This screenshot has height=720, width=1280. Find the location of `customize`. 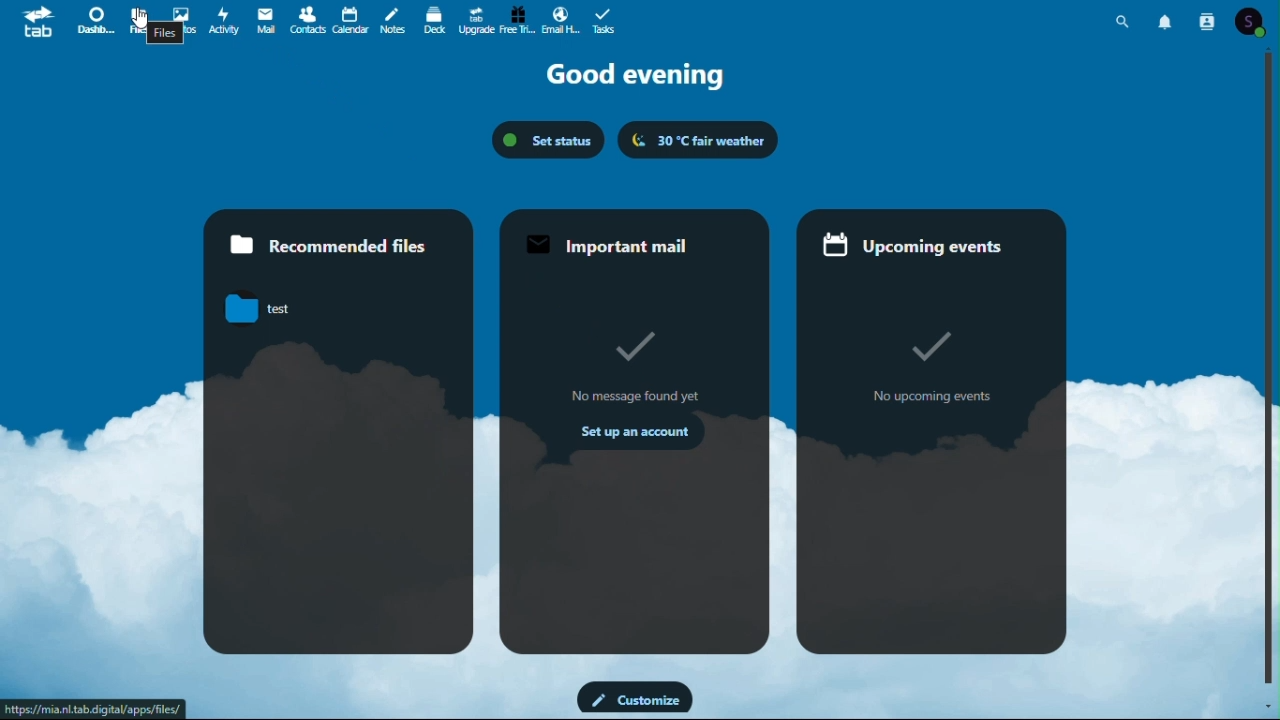

customize is located at coordinates (636, 697).